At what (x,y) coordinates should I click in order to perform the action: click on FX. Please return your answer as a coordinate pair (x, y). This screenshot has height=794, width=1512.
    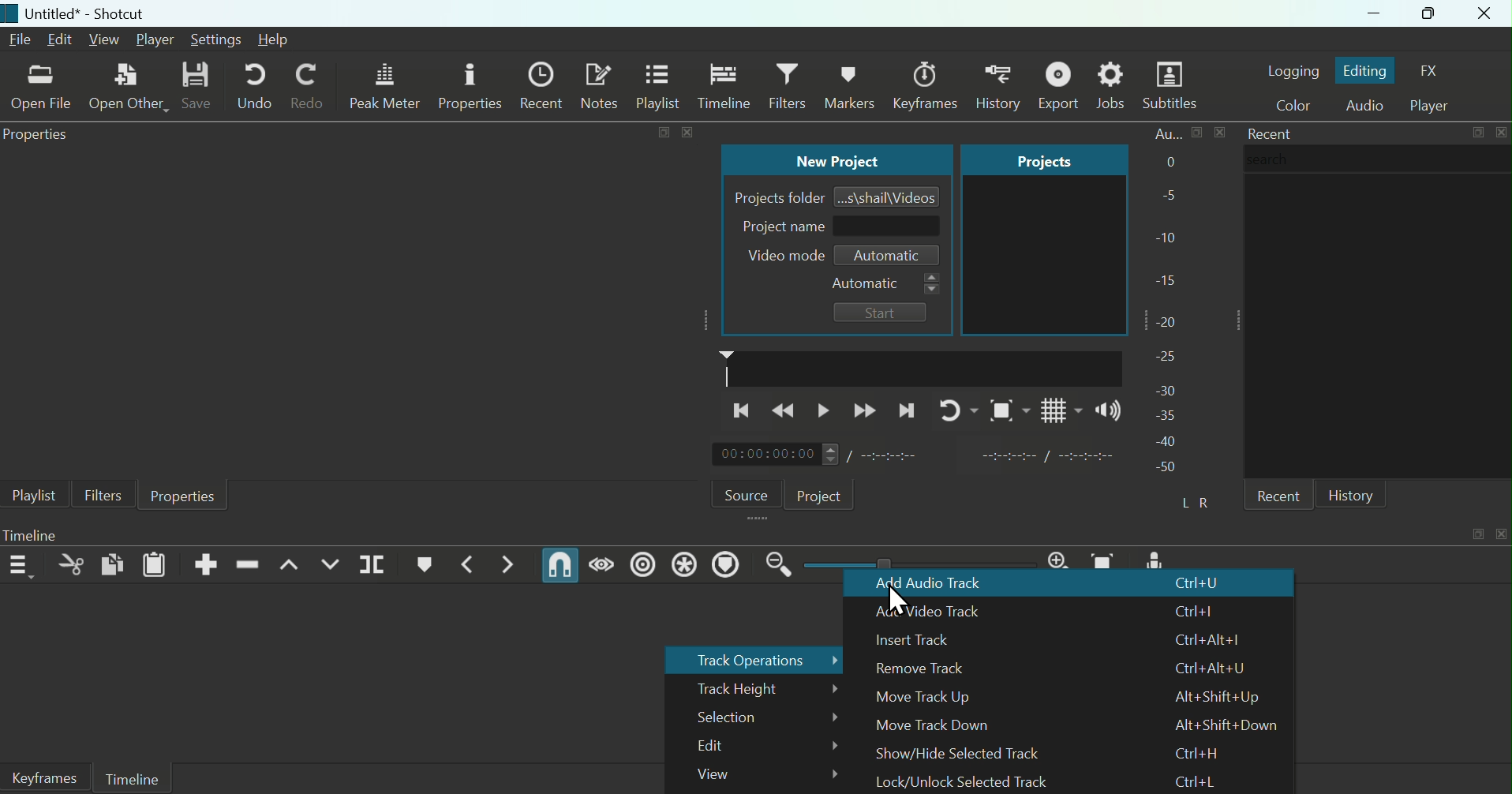
    Looking at the image, I should click on (1436, 71).